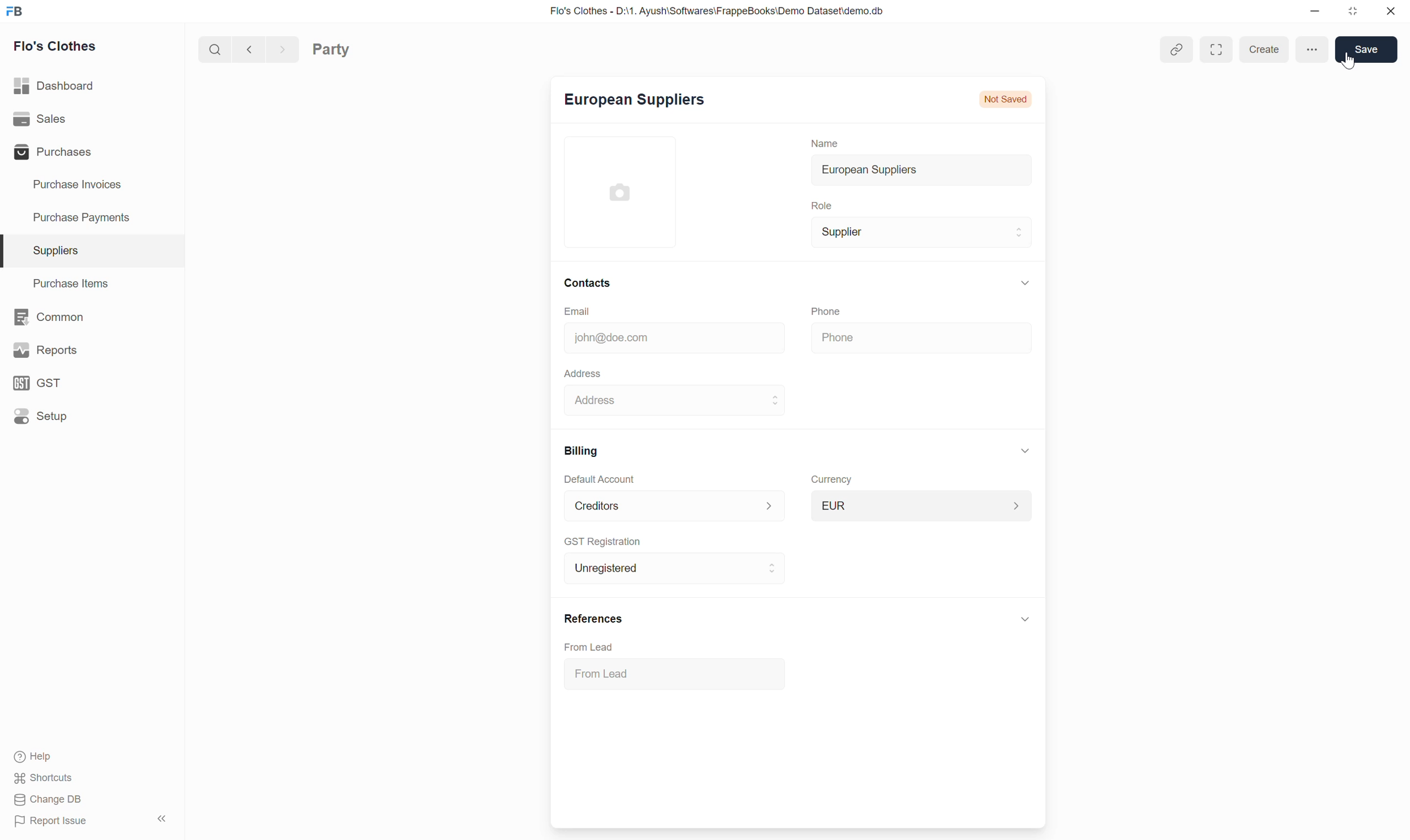 The width and height of the screenshot is (1410, 840). Describe the element at coordinates (1215, 46) in the screenshot. I see `Expand` at that location.